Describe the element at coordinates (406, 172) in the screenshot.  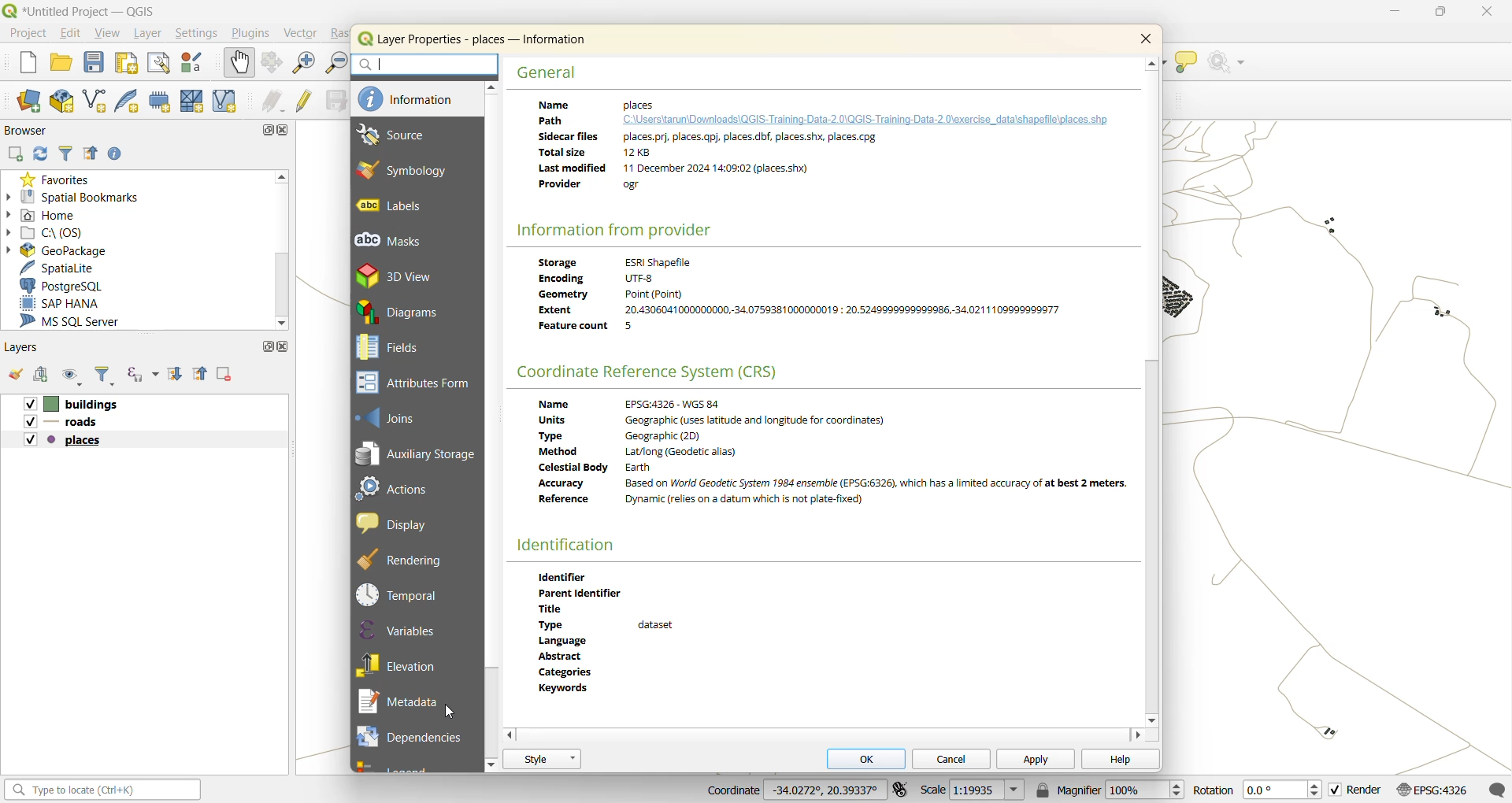
I see `symbology` at that location.